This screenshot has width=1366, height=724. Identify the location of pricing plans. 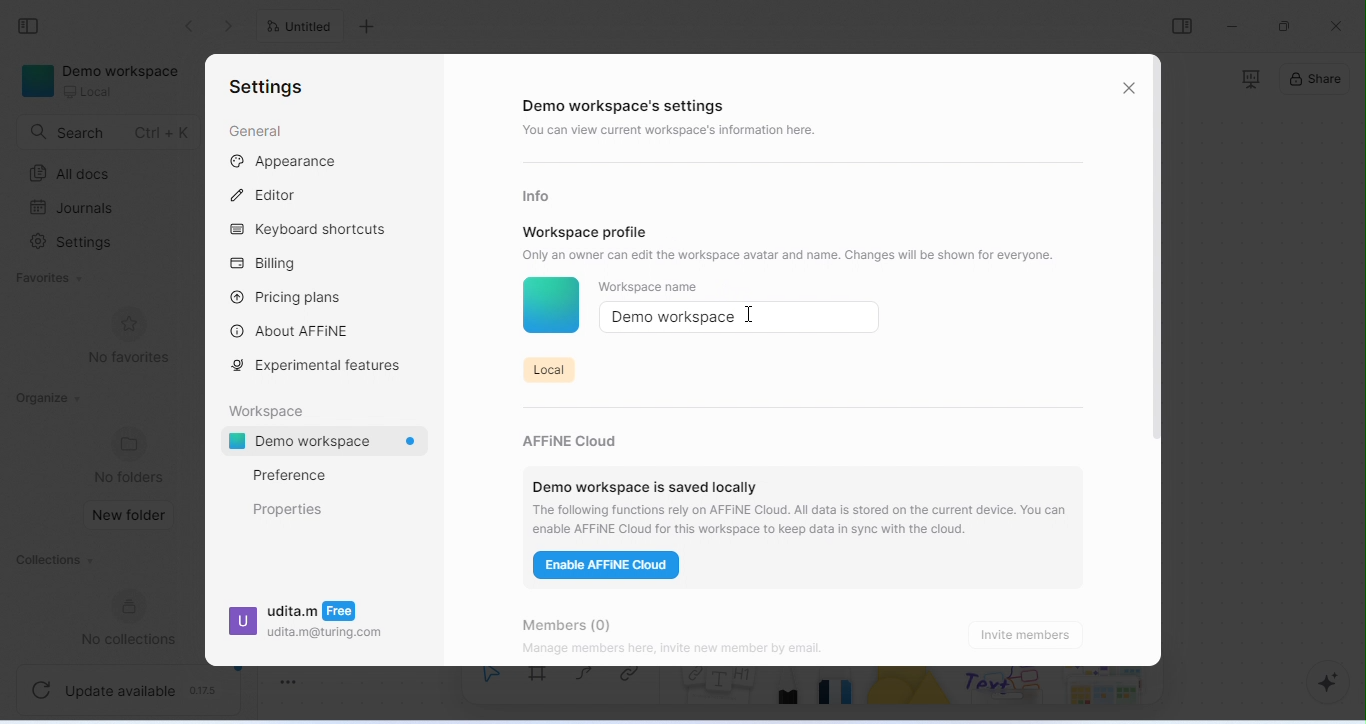
(287, 296).